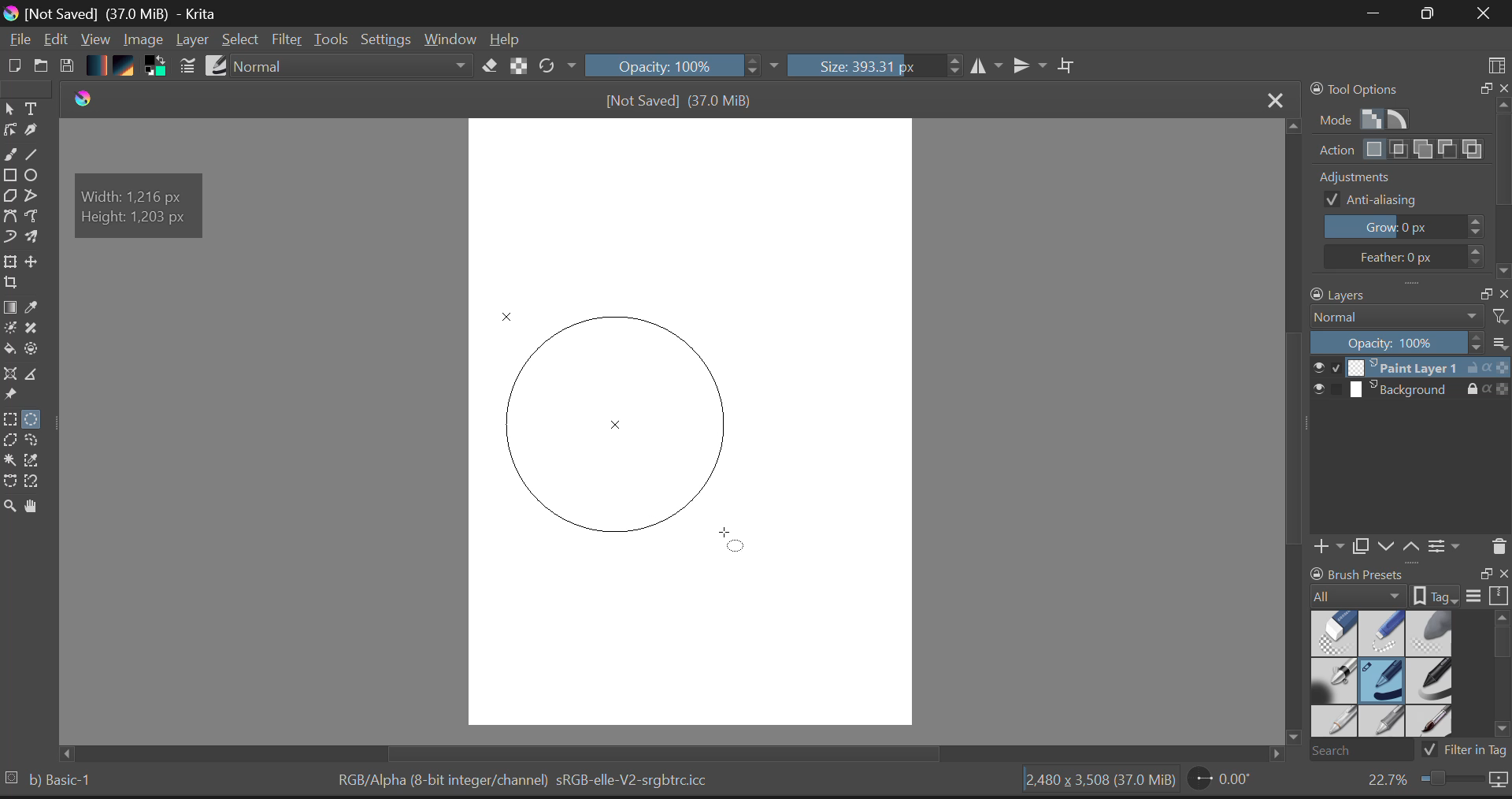 Image resolution: width=1512 pixels, height=799 pixels. I want to click on Smart Patch Tool, so click(34, 331).